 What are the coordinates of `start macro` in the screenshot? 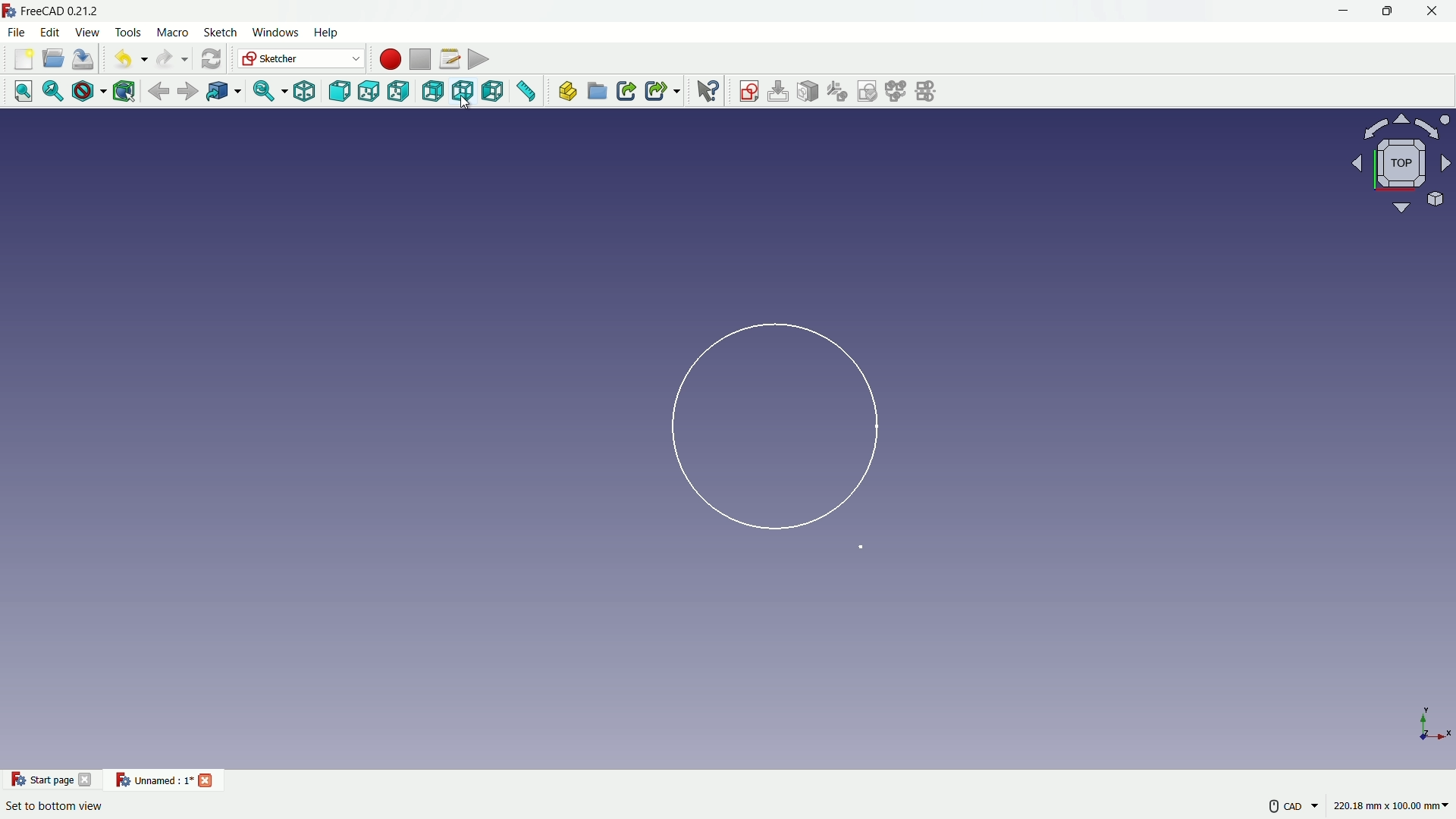 It's located at (387, 58).